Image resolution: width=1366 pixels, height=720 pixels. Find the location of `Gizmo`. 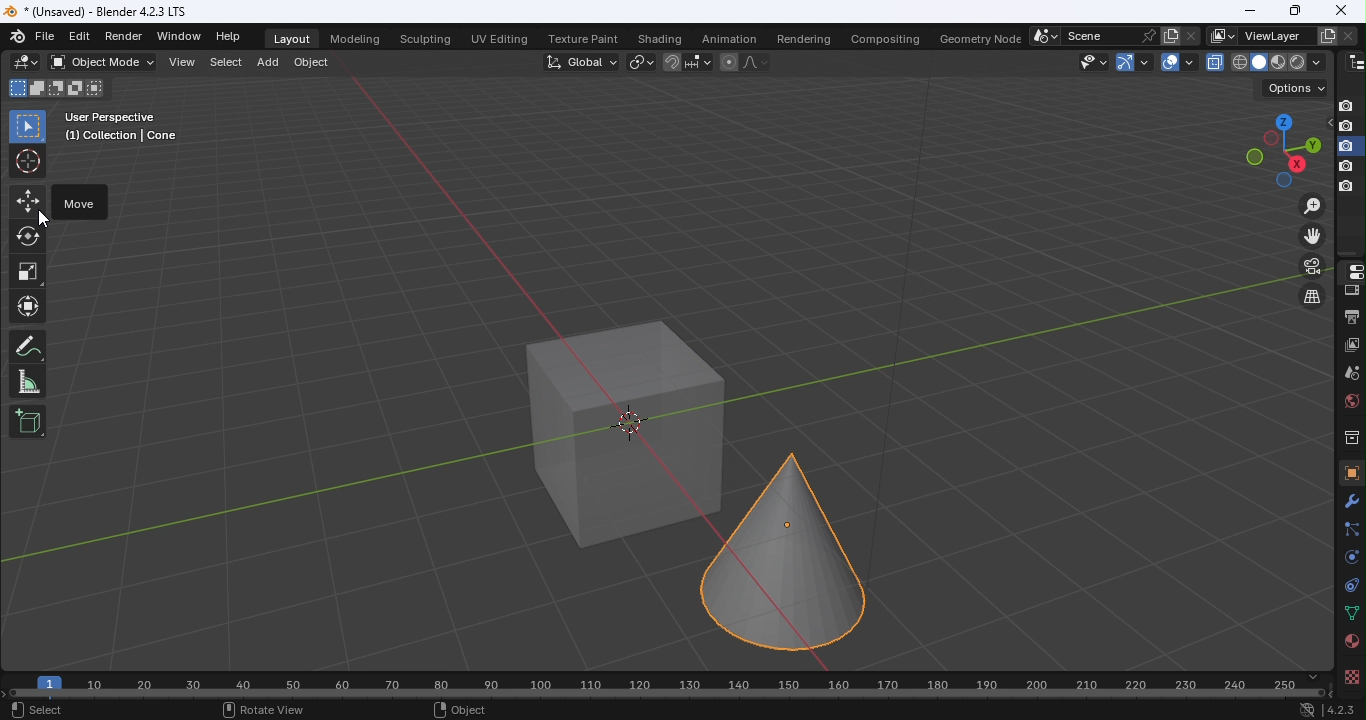

Gizmo is located at coordinates (1122, 61).